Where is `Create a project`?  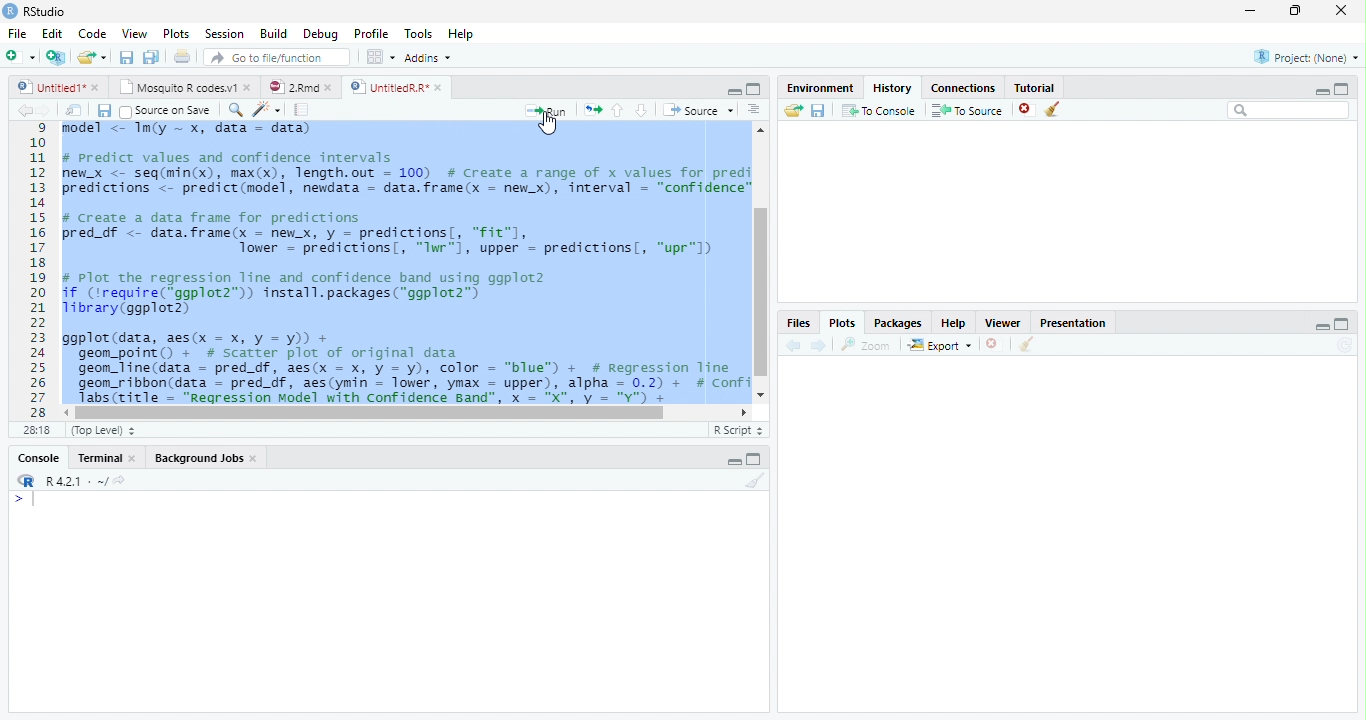
Create a project is located at coordinates (55, 57).